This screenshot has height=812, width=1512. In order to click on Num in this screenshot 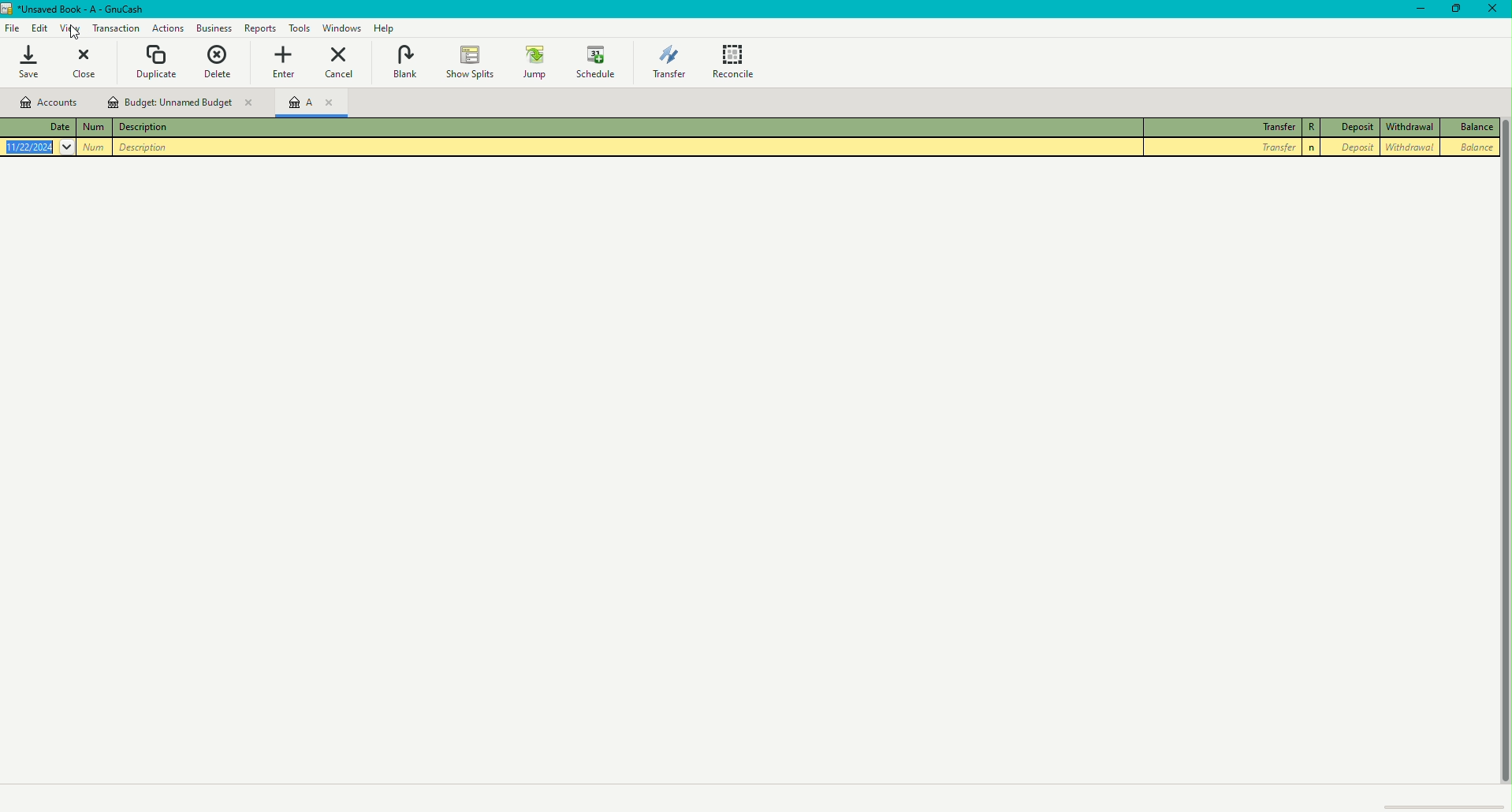, I will do `click(95, 148)`.